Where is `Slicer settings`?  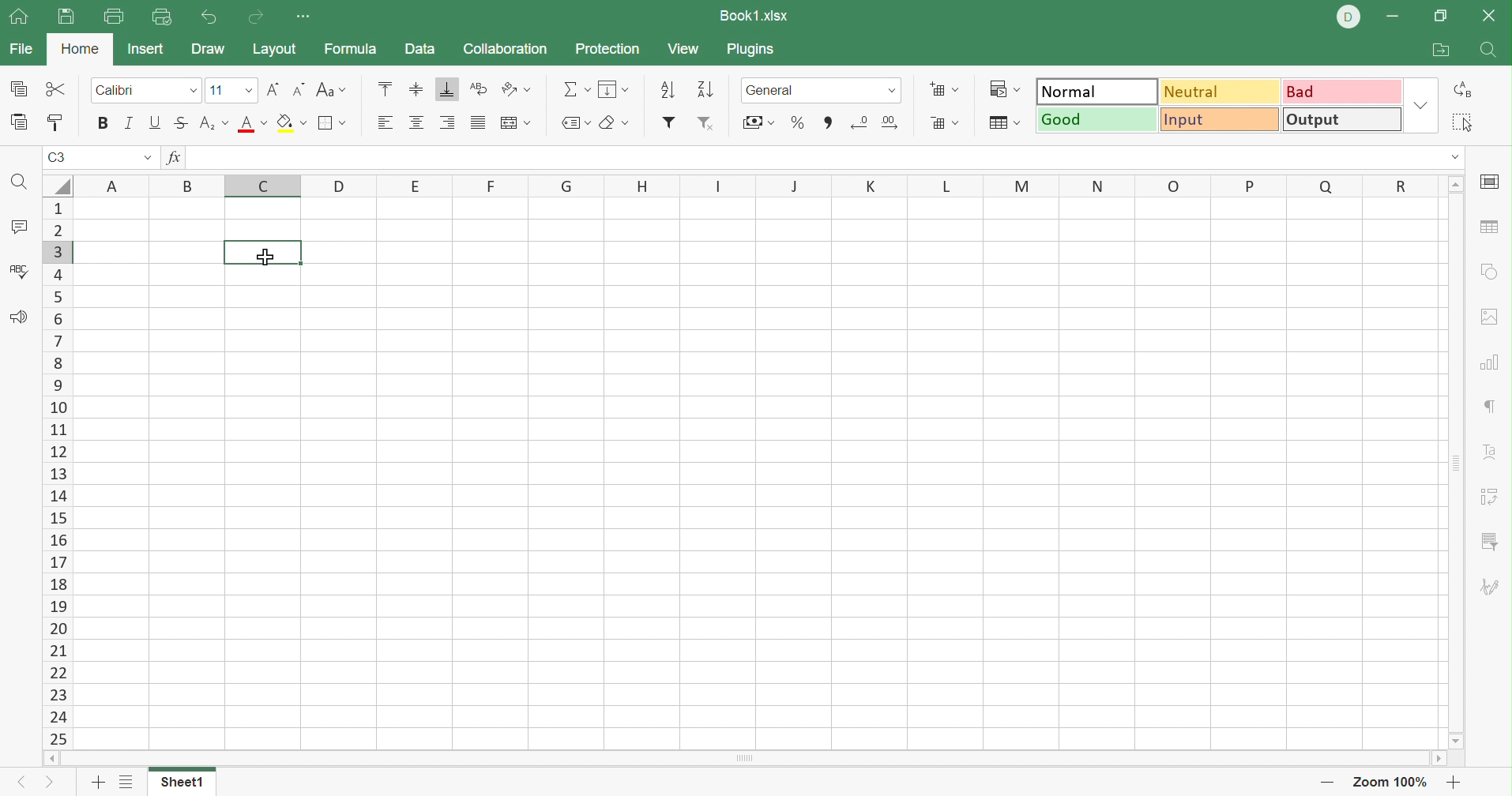 Slicer settings is located at coordinates (1491, 544).